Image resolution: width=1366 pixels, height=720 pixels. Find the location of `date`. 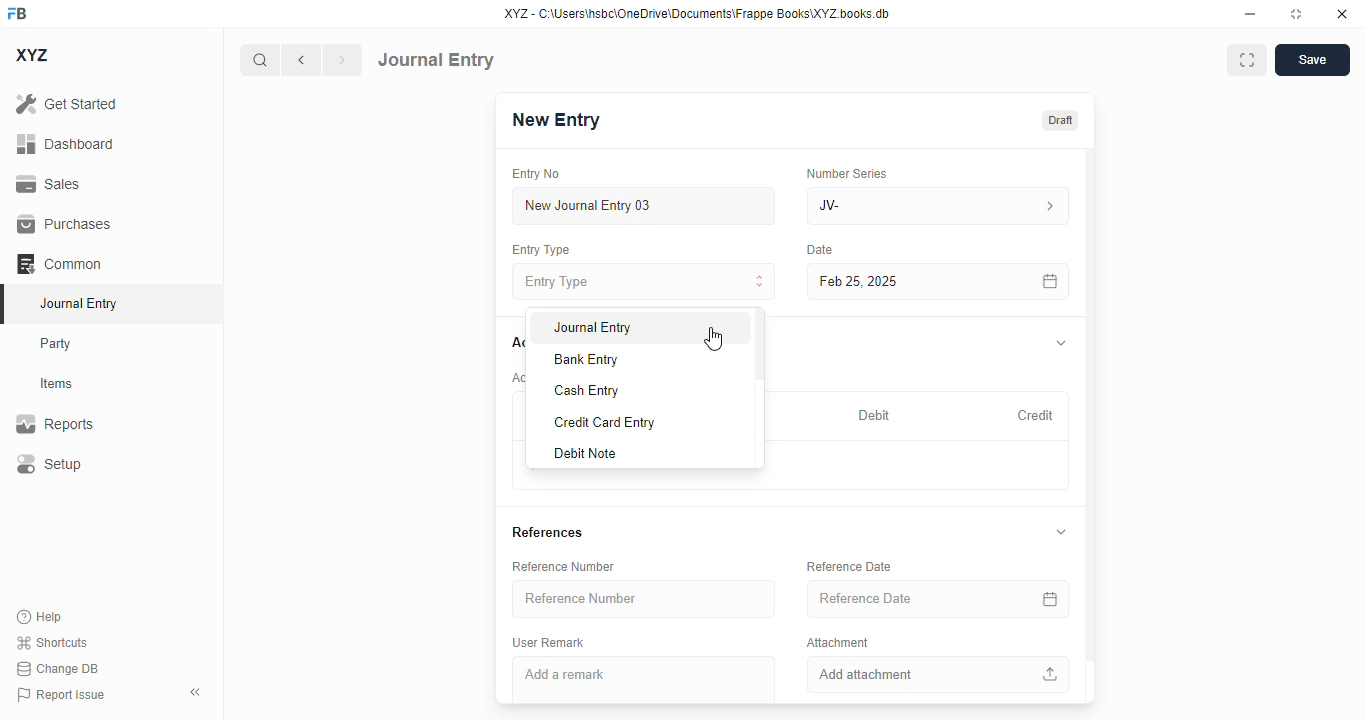

date is located at coordinates (821, 250).